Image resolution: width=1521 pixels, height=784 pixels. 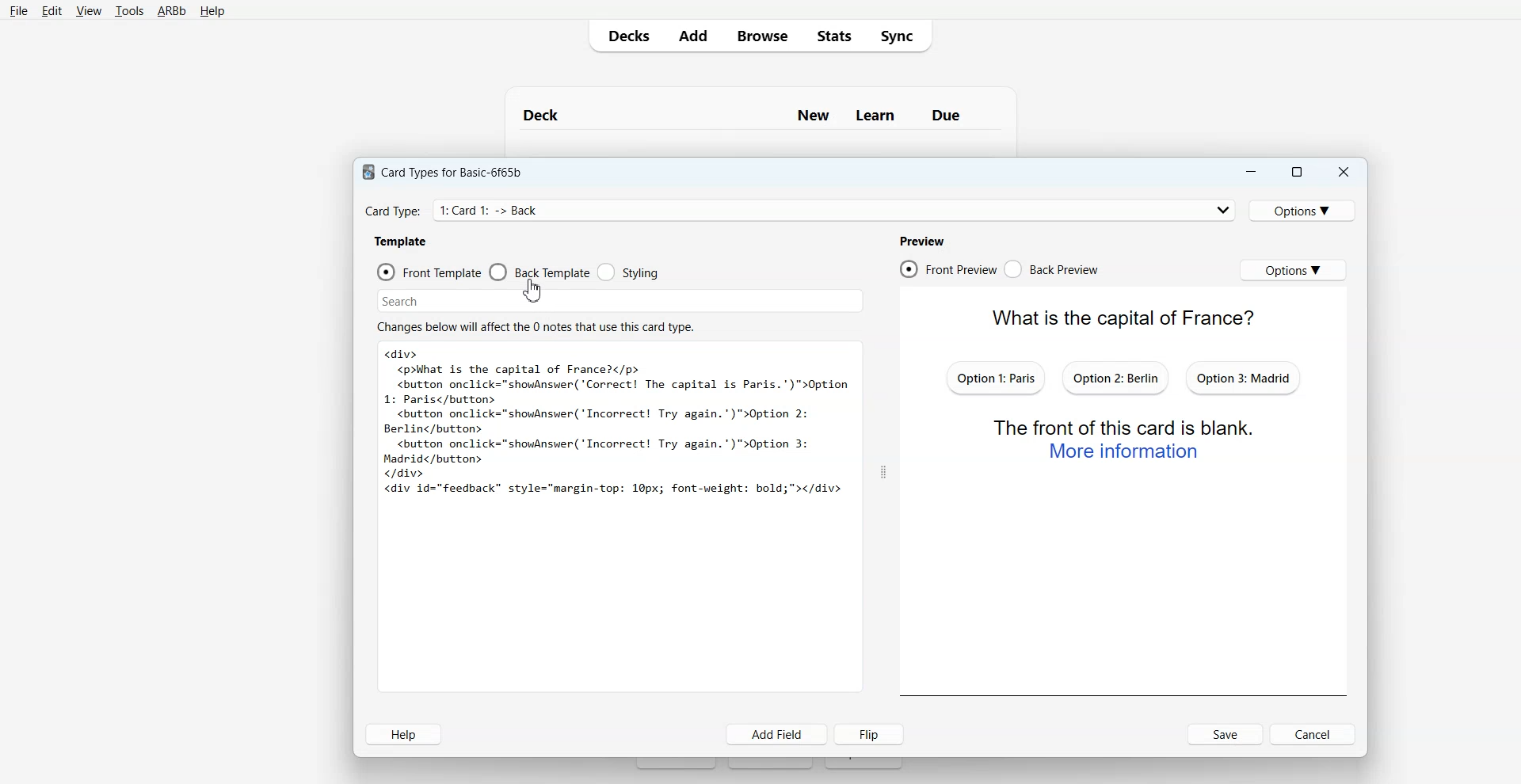 What do you see at coordinates (1103, 317) in the screenshot?
I see `Text 2` at bounding box center [1103, 317].